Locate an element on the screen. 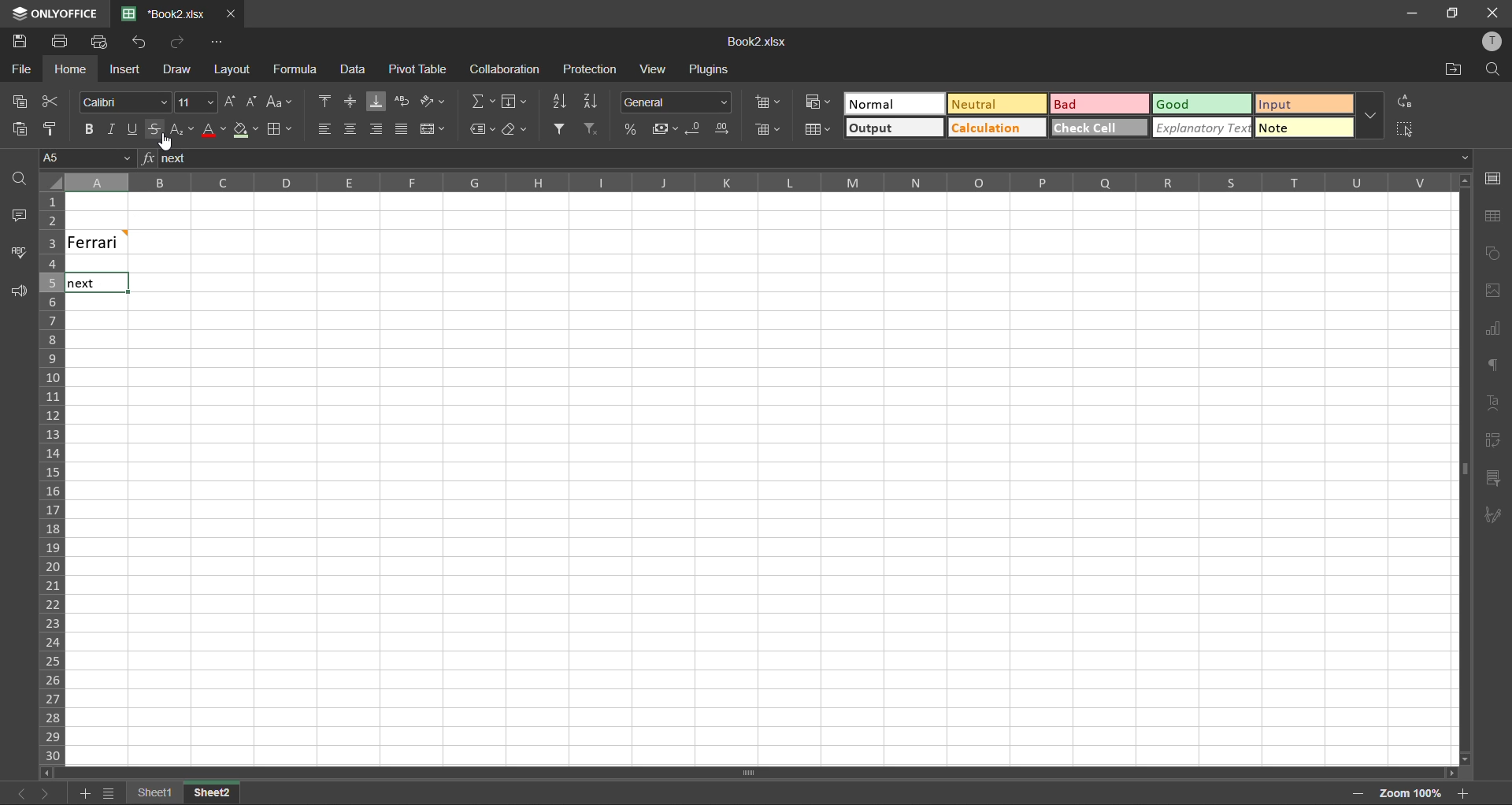 This screenshot has width=1512, height=805. sub/superscript is located at coordinates (181, 129).